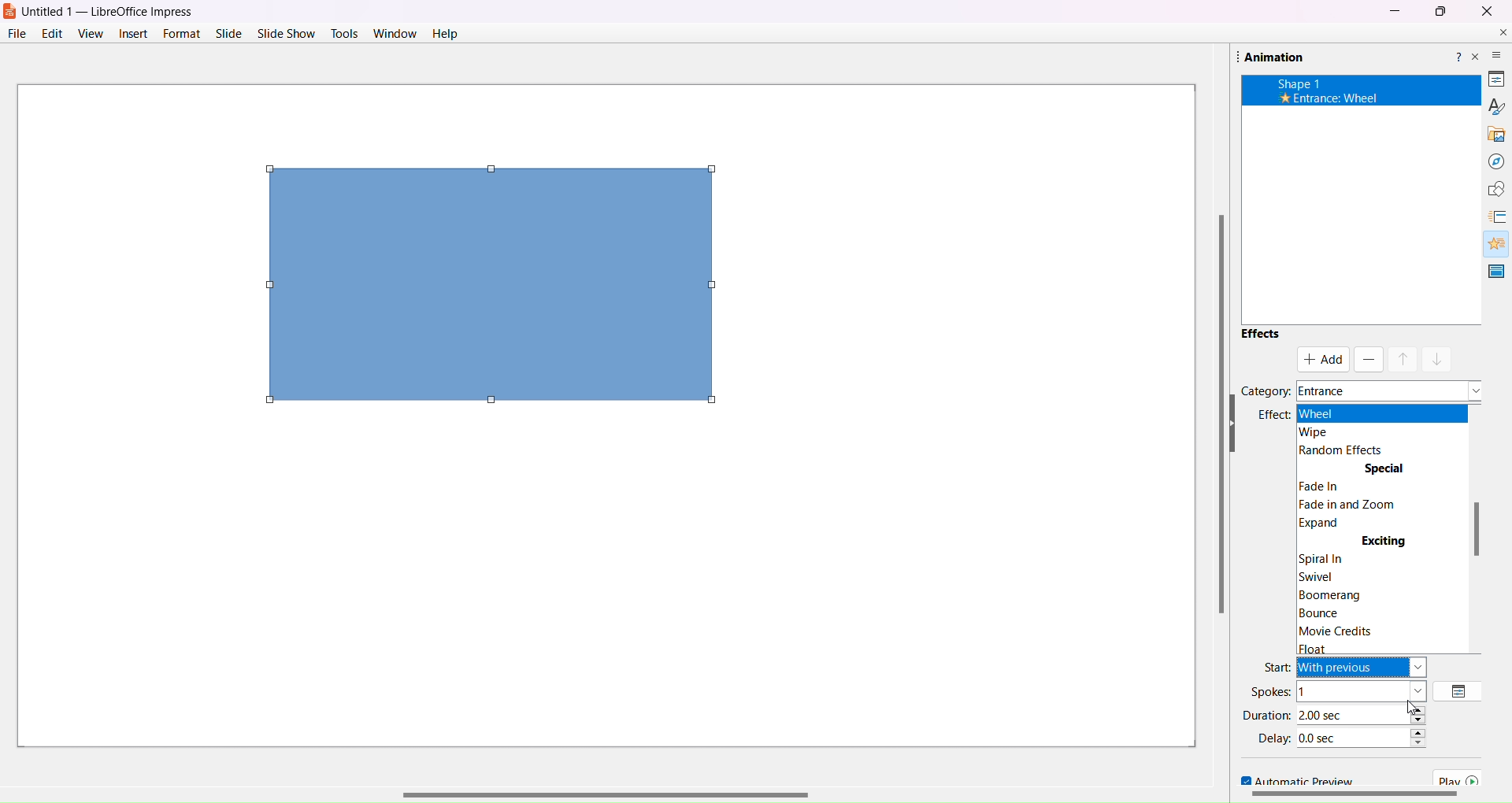  Describe the element at coordinates (90, 33) in the screenshot. I see `View` at that location.